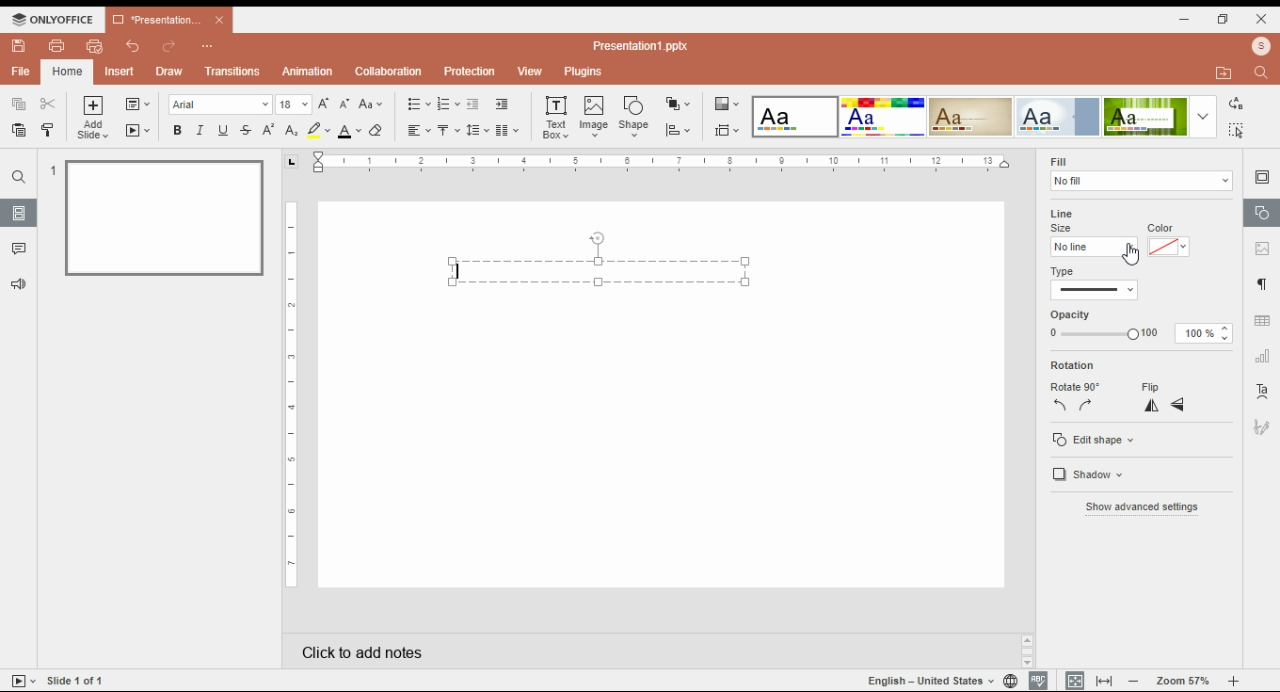 The image size is (1280, 692). I want to click on transitions, so click(233, 73).